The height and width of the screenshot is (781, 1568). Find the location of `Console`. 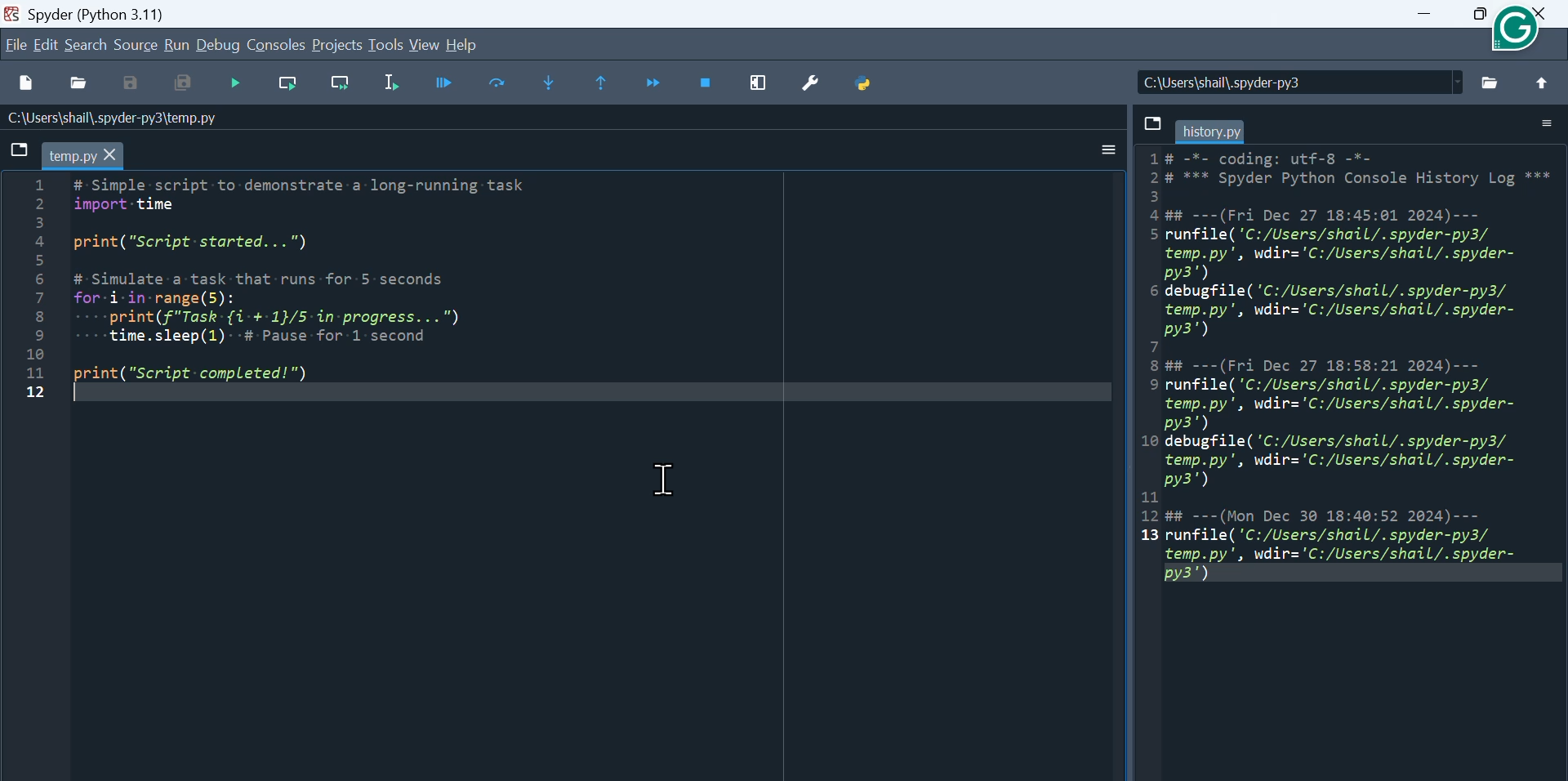

Console is located at coordinates (277, 46).